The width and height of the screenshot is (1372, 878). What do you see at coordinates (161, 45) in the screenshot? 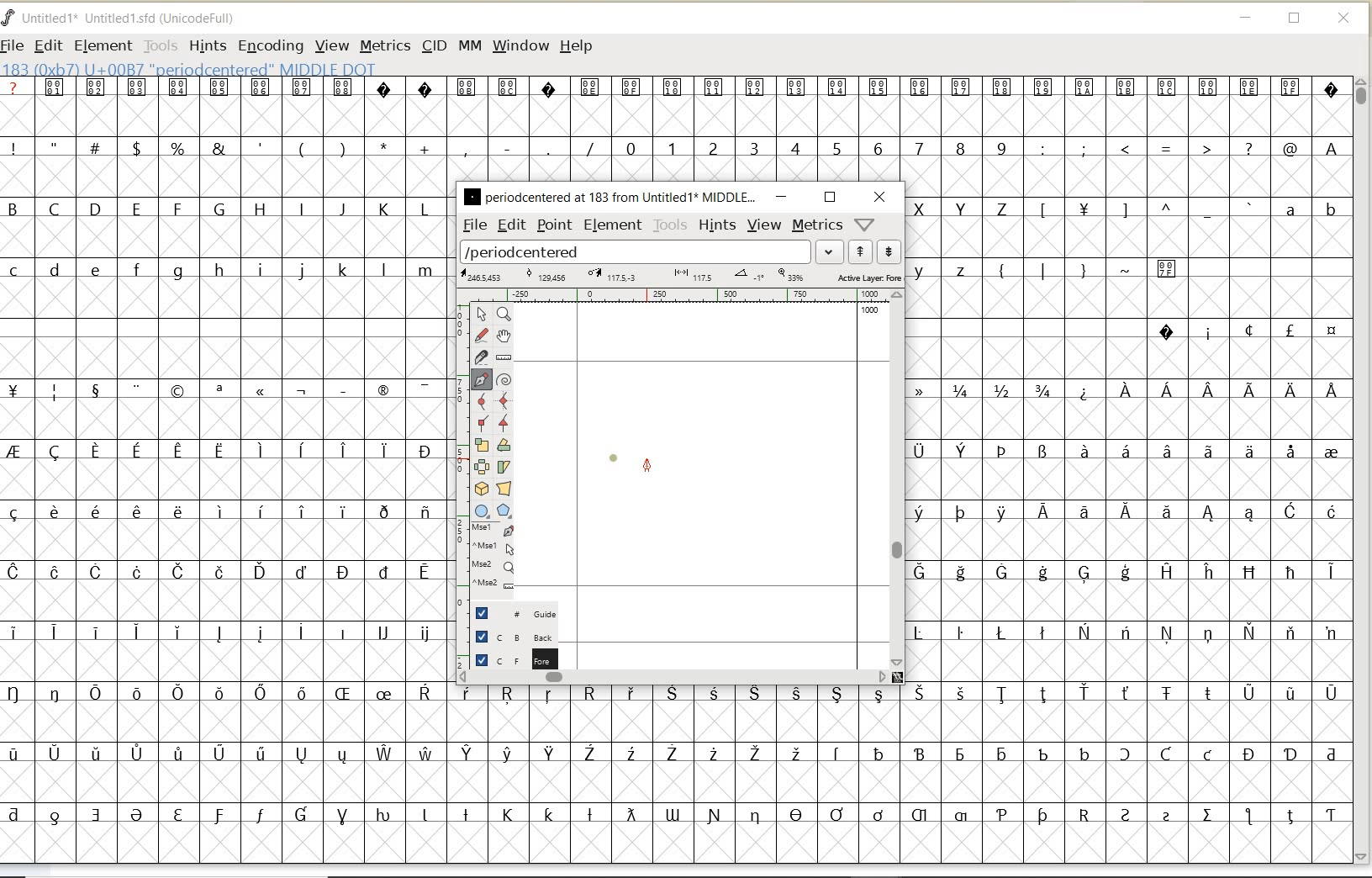
I see `TOOLS` at bounding box center [161, 45].